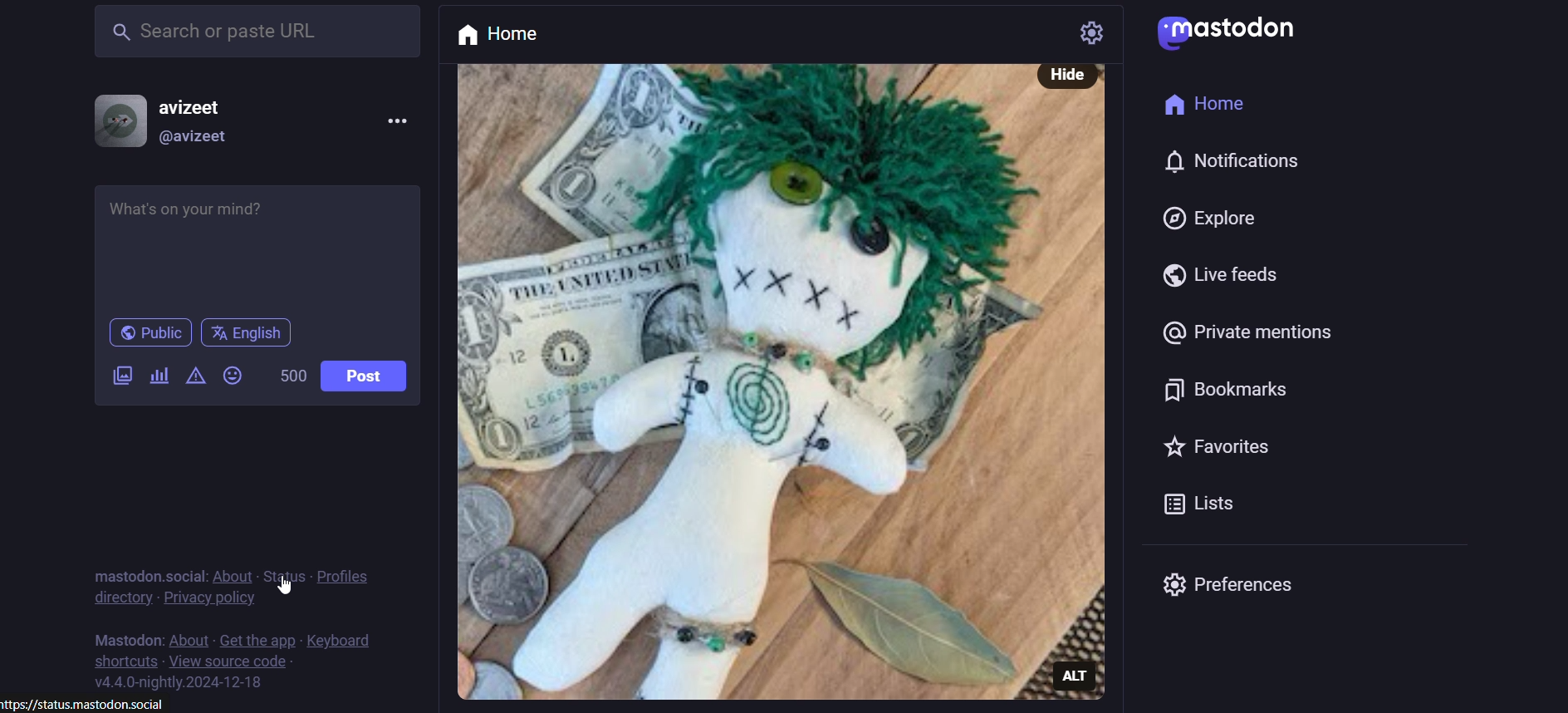 The image size is (1568, 713). What do you see at coordinates (1211, 219) in the screenshot?
I see `explore` at bounding box center [1211, 219].